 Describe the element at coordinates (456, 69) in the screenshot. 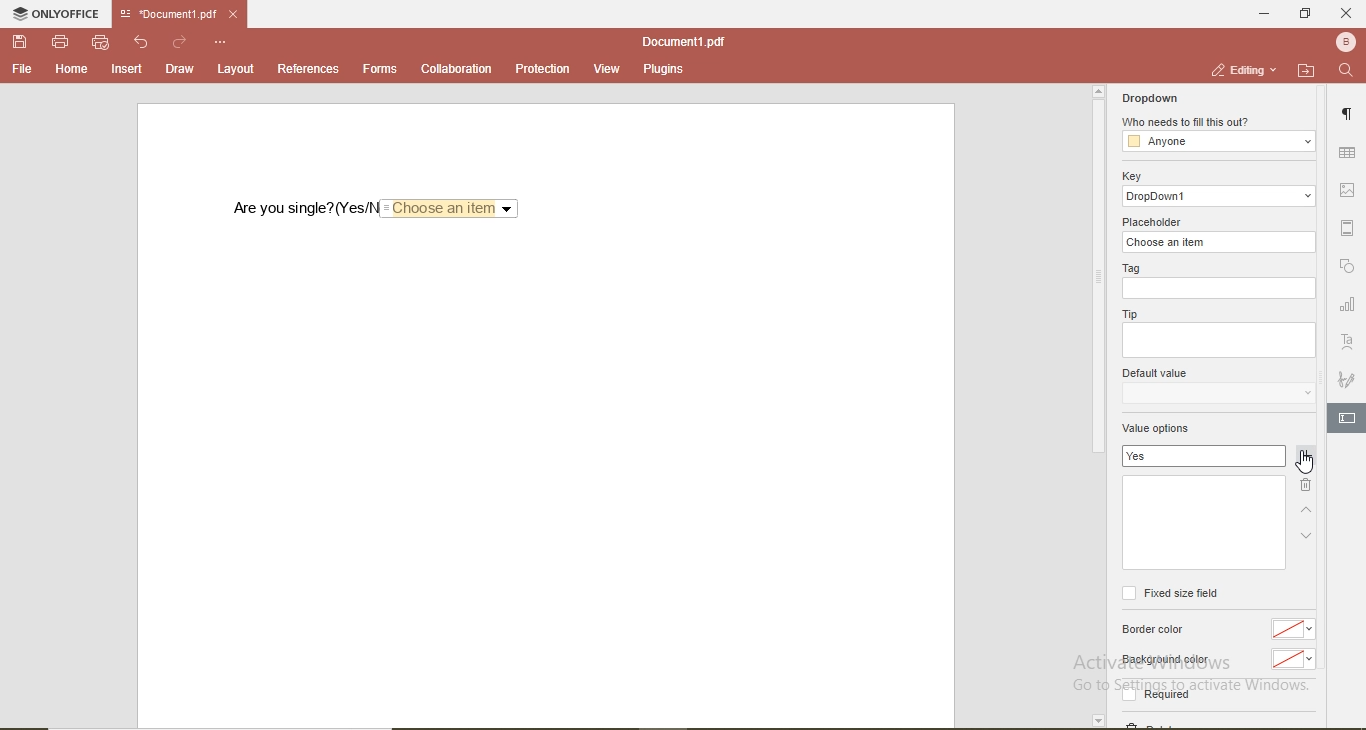

I see `collaboration` at that location.